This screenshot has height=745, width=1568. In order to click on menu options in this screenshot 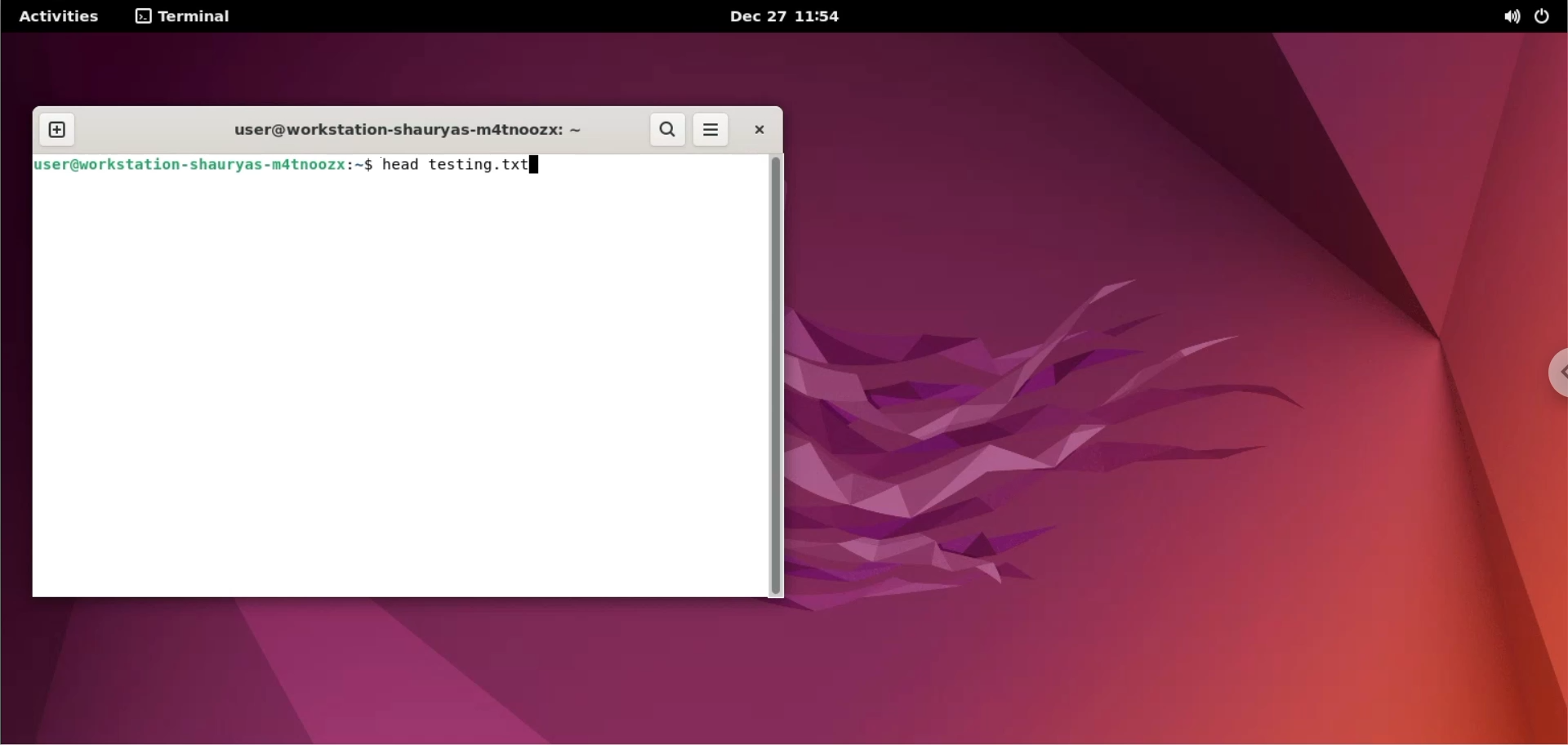, I will do `click(712, 129)`.